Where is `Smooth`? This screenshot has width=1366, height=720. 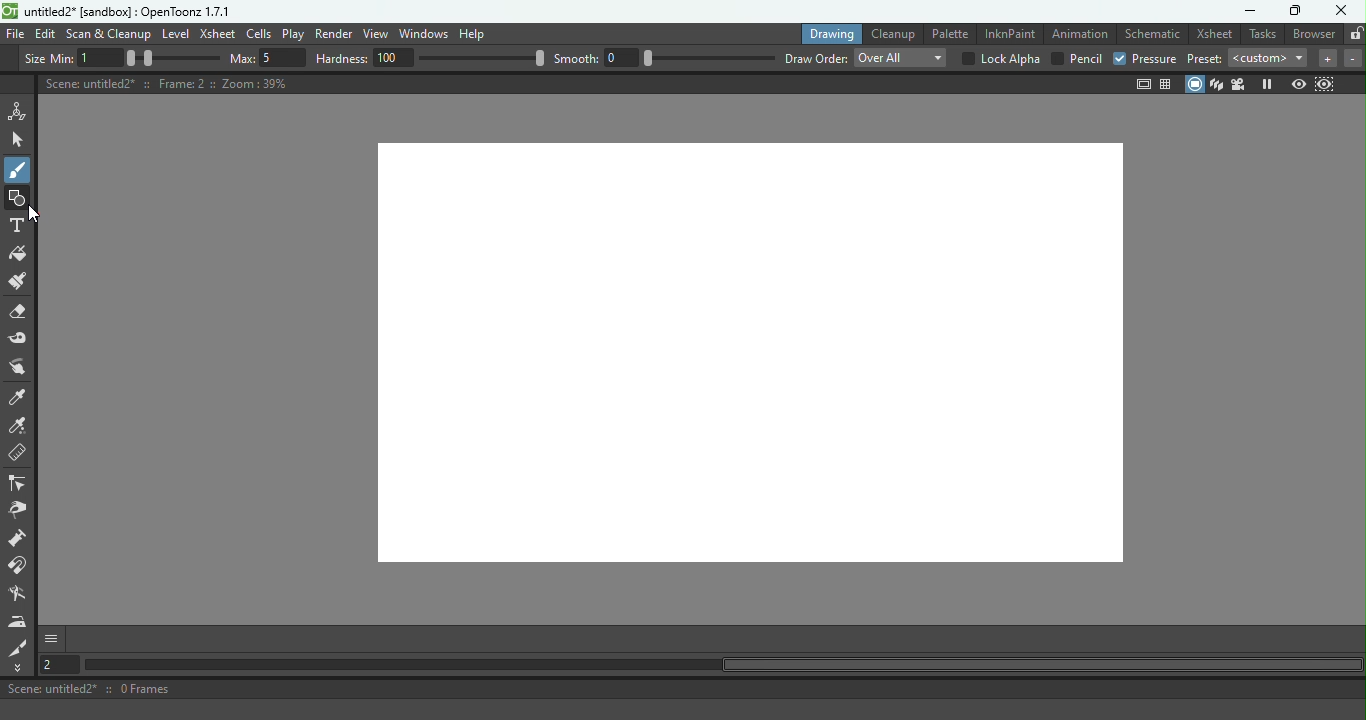
Smooth is located at coordinates (665, 57).